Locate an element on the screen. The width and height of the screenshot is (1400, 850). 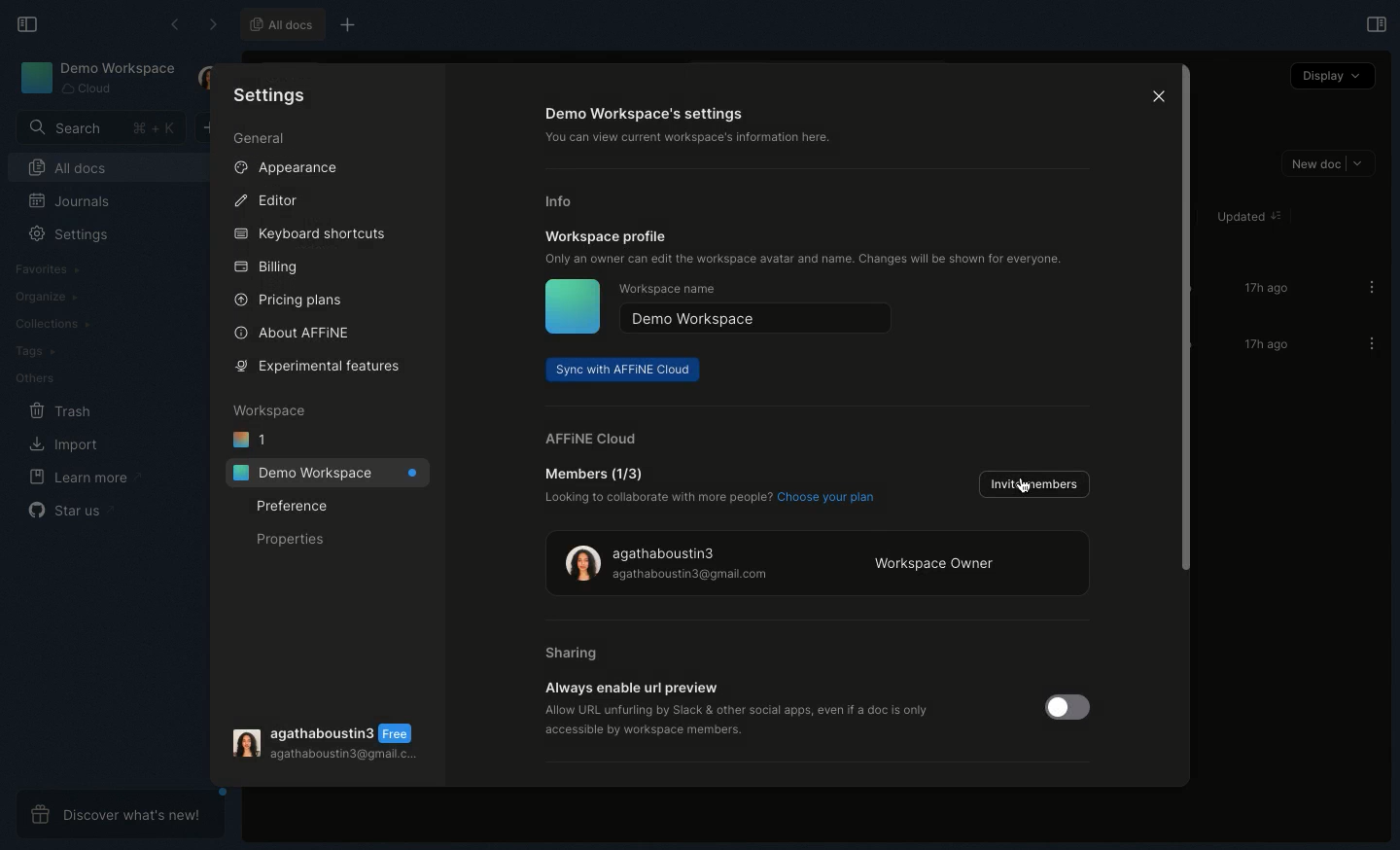
Updated is located at coordinates (1246, 217).